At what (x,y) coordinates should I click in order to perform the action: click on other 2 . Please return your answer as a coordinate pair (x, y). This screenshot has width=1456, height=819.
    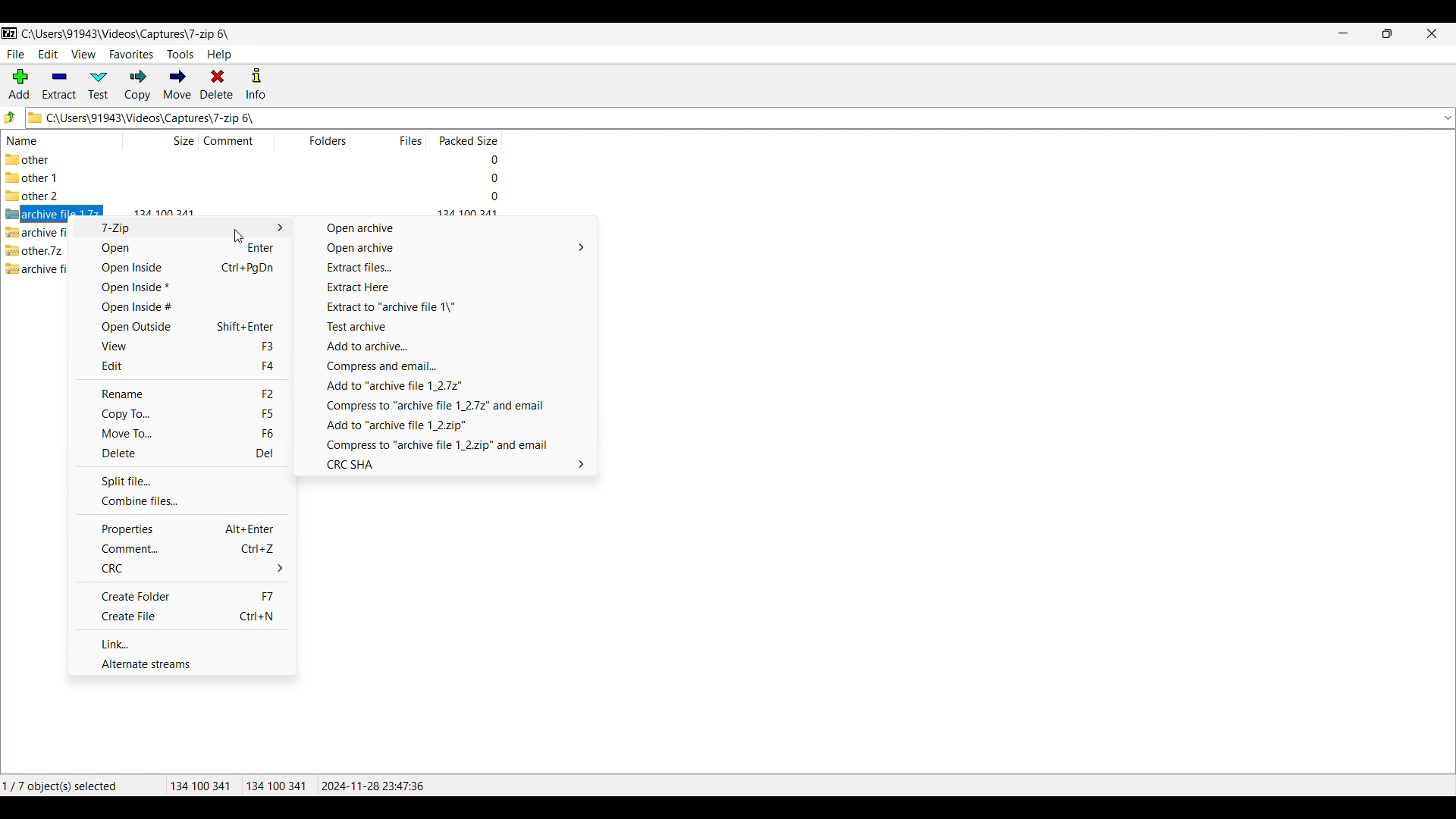
    Looking at the image, I should click on (33, 197).